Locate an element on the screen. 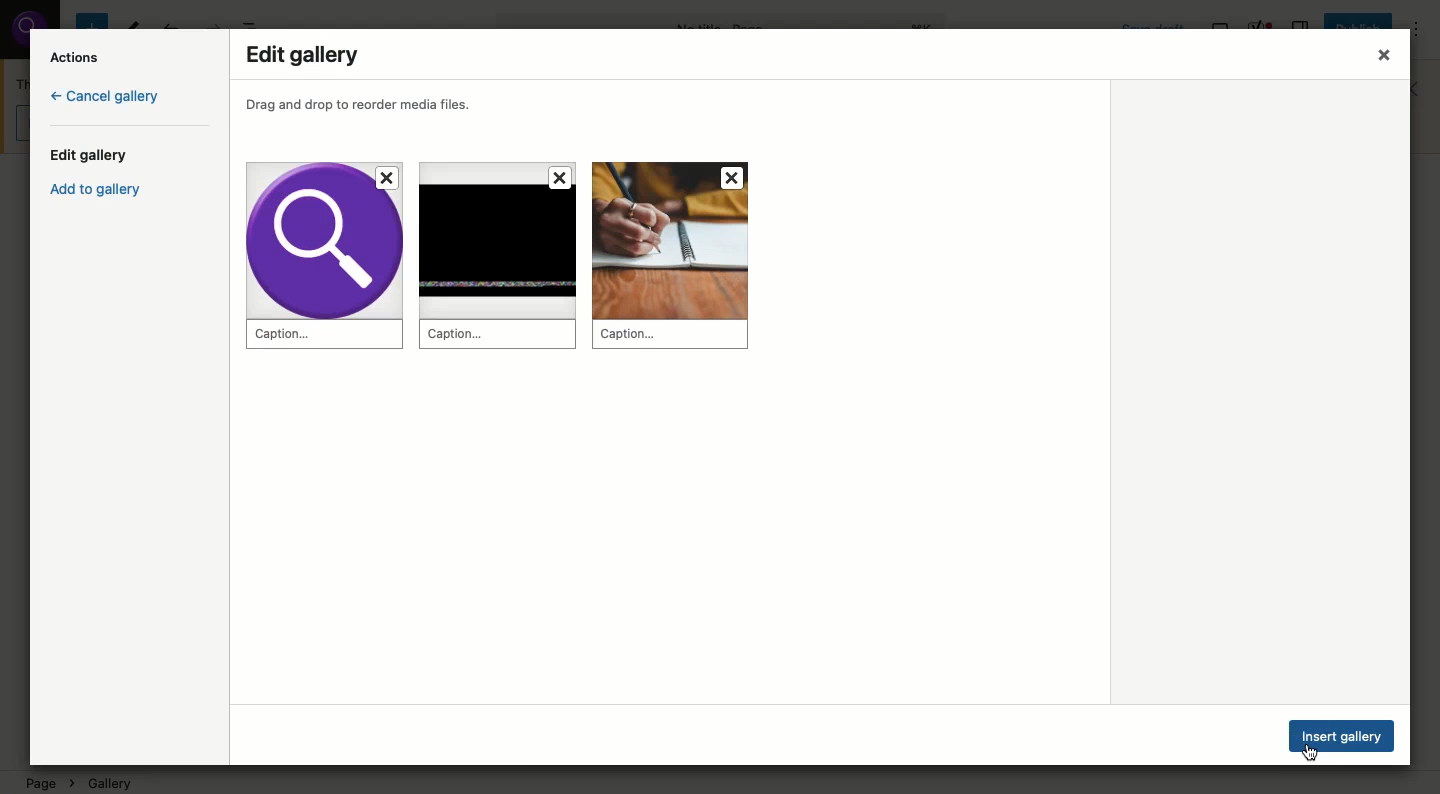  Edit gallery is located at coordinates (94, 156).